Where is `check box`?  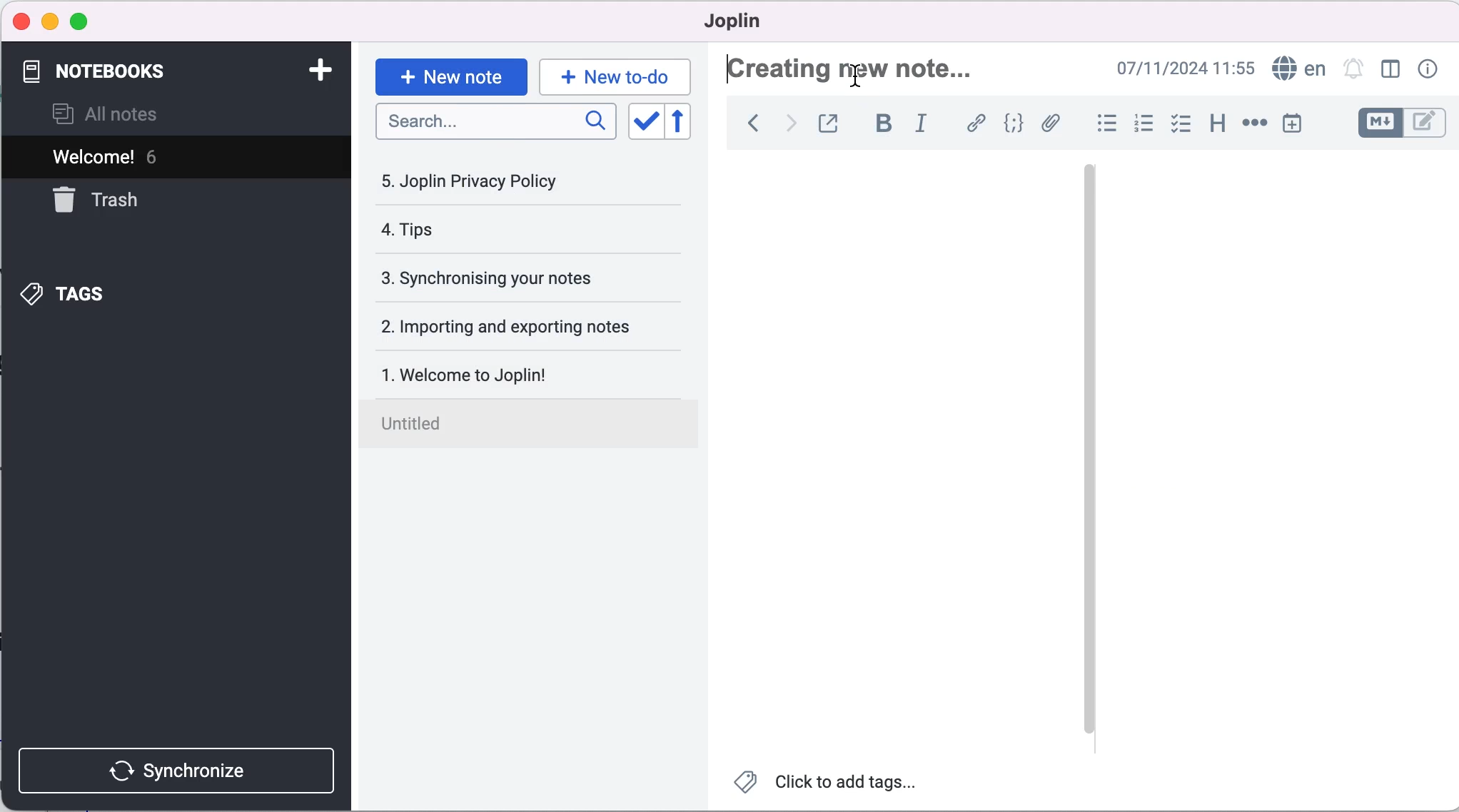 check box is located at coordinates (1177, 123).